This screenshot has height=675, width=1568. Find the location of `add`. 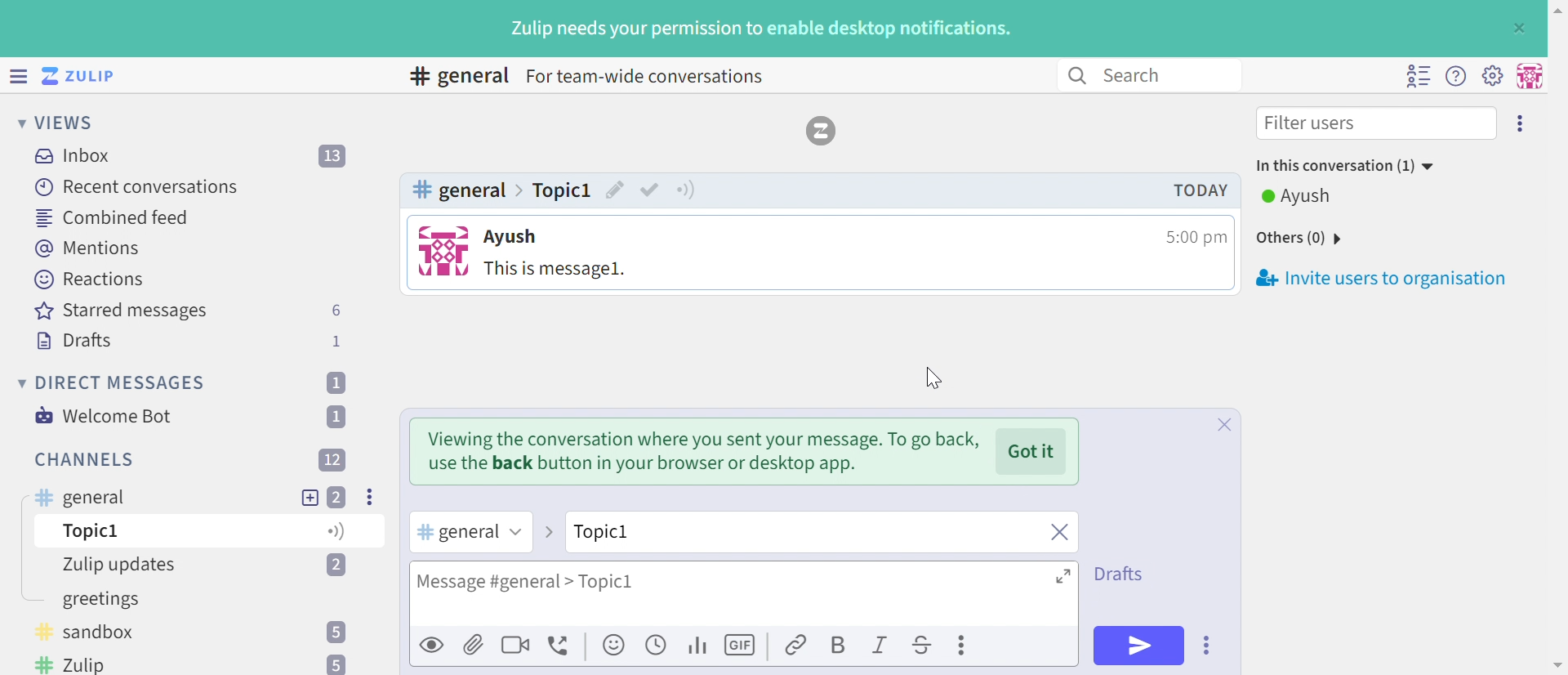

add is located at coordinates (310, 496).